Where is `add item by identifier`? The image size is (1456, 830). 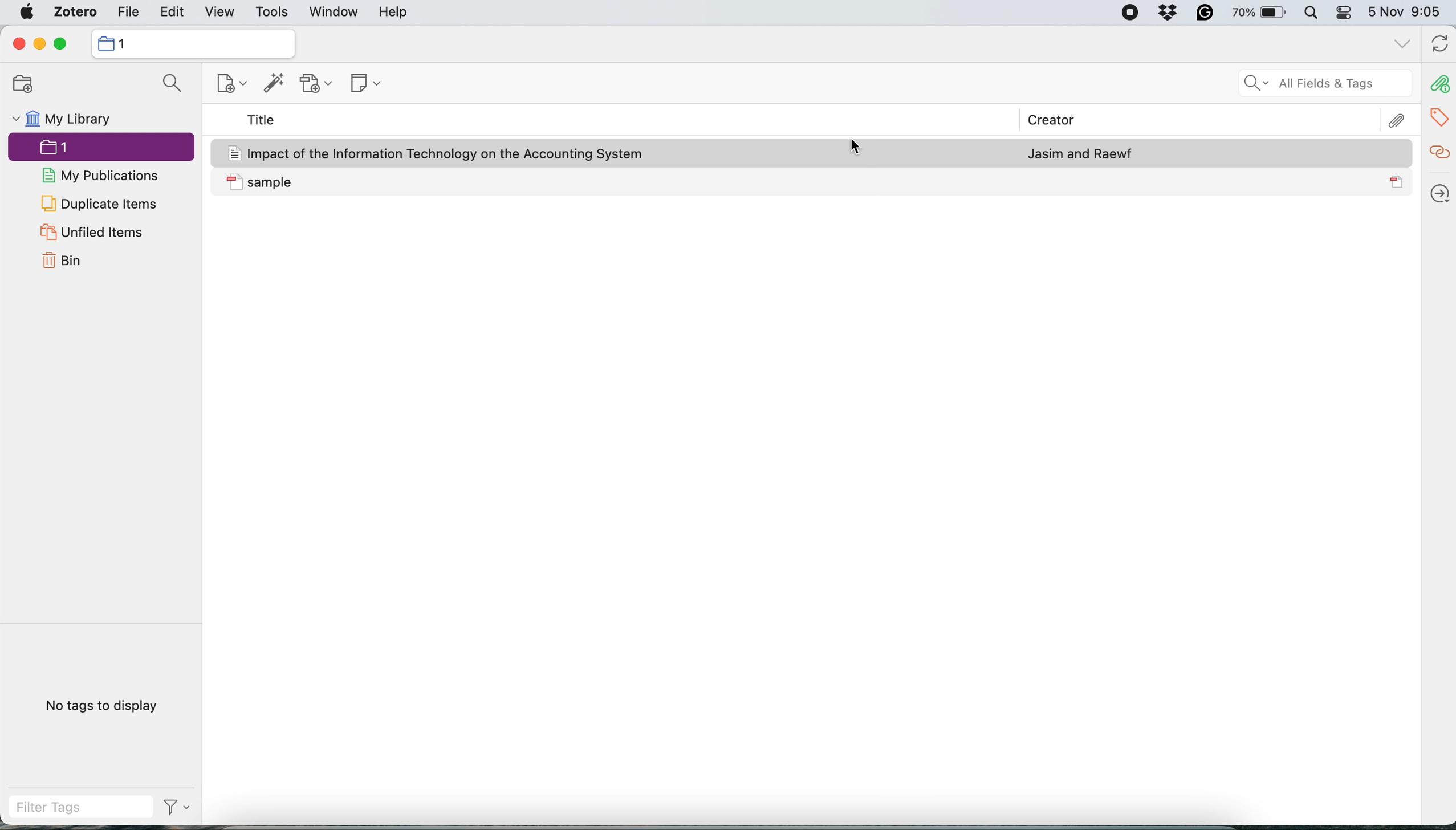
add item by identifier is located at coordinates (271, 84).